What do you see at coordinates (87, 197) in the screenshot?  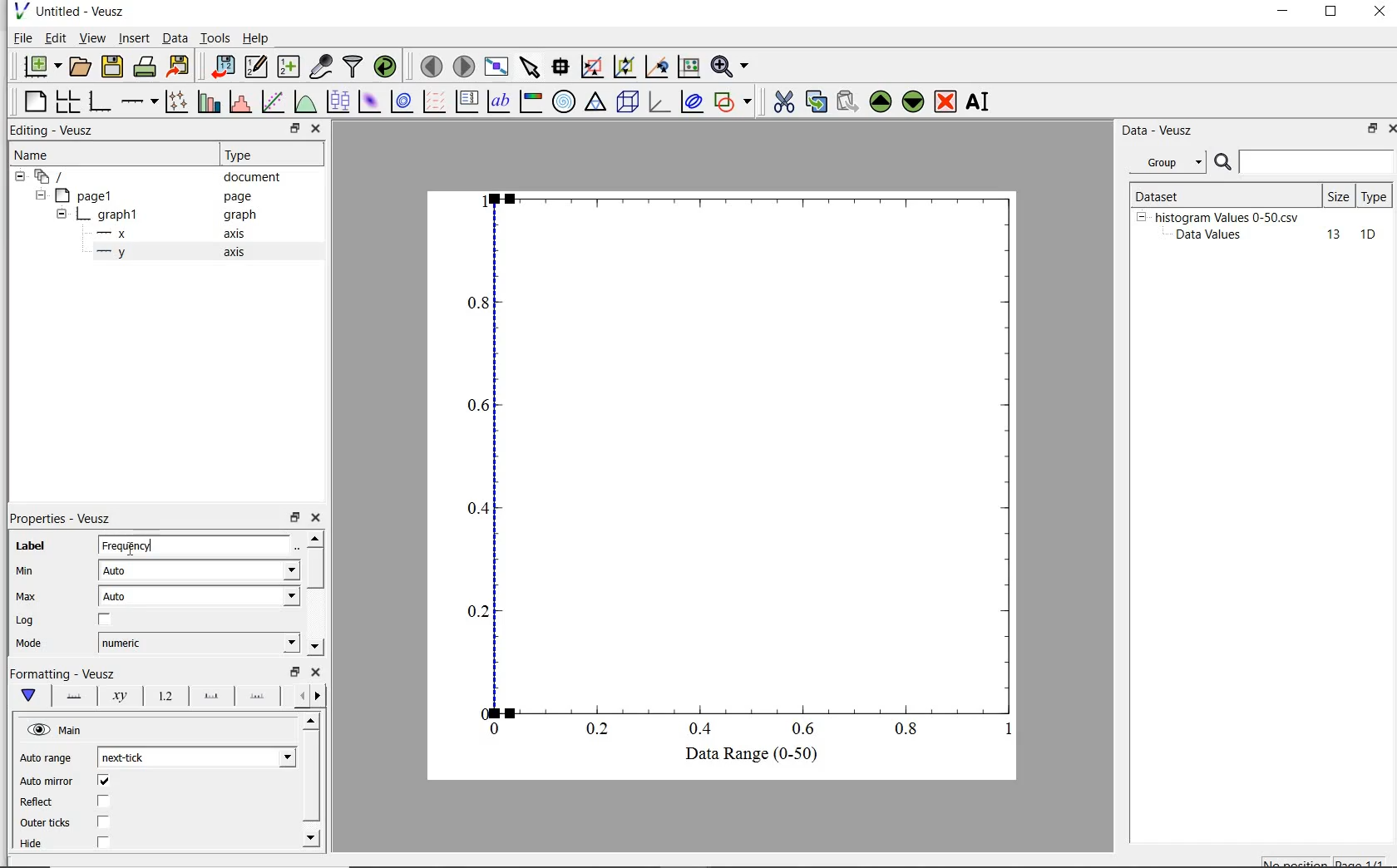 I see `page1` at bounding box center [87, 197].